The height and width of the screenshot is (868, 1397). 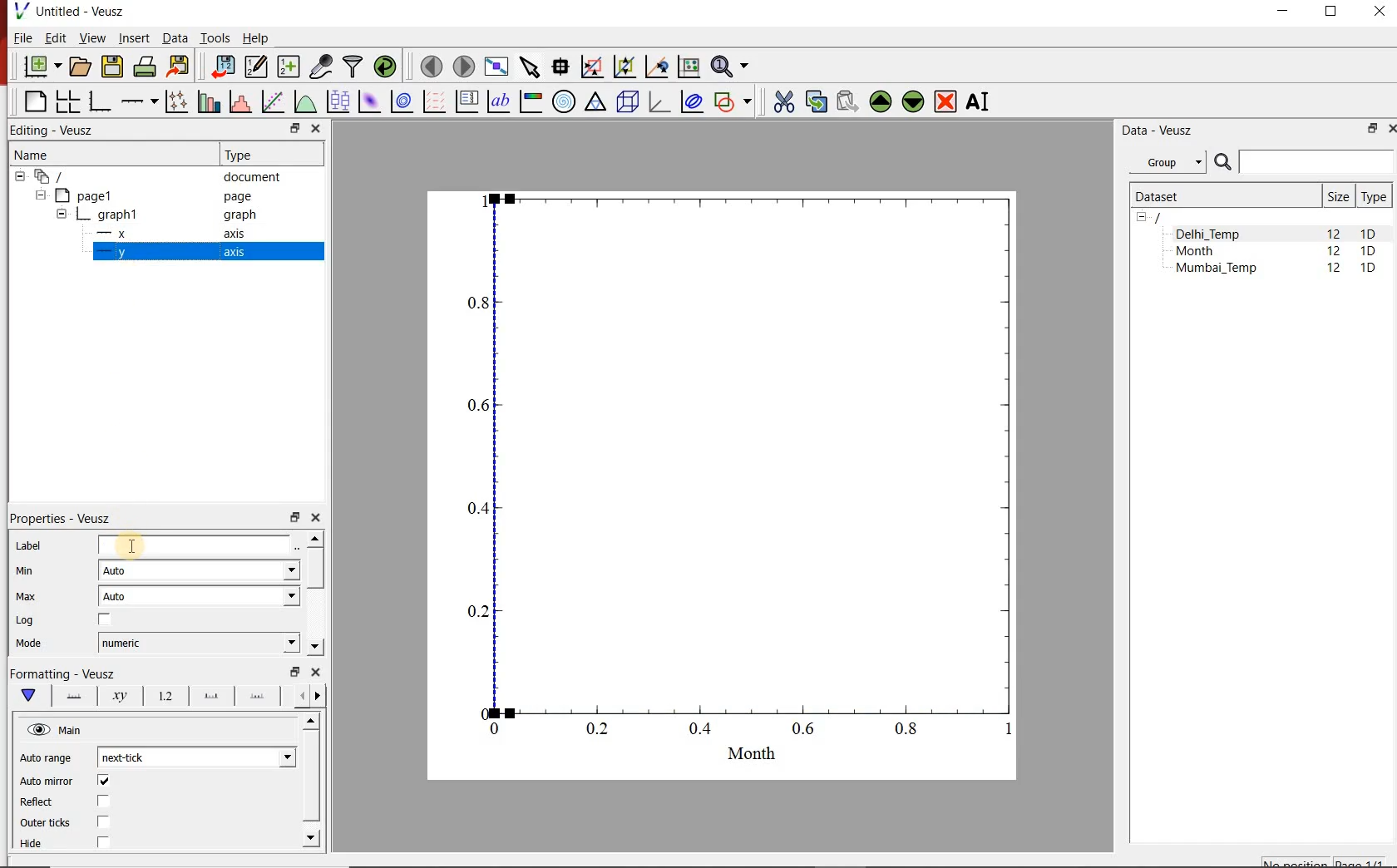 I want to click on plot a 2d dataset as contours, so click(x=402, y=102).